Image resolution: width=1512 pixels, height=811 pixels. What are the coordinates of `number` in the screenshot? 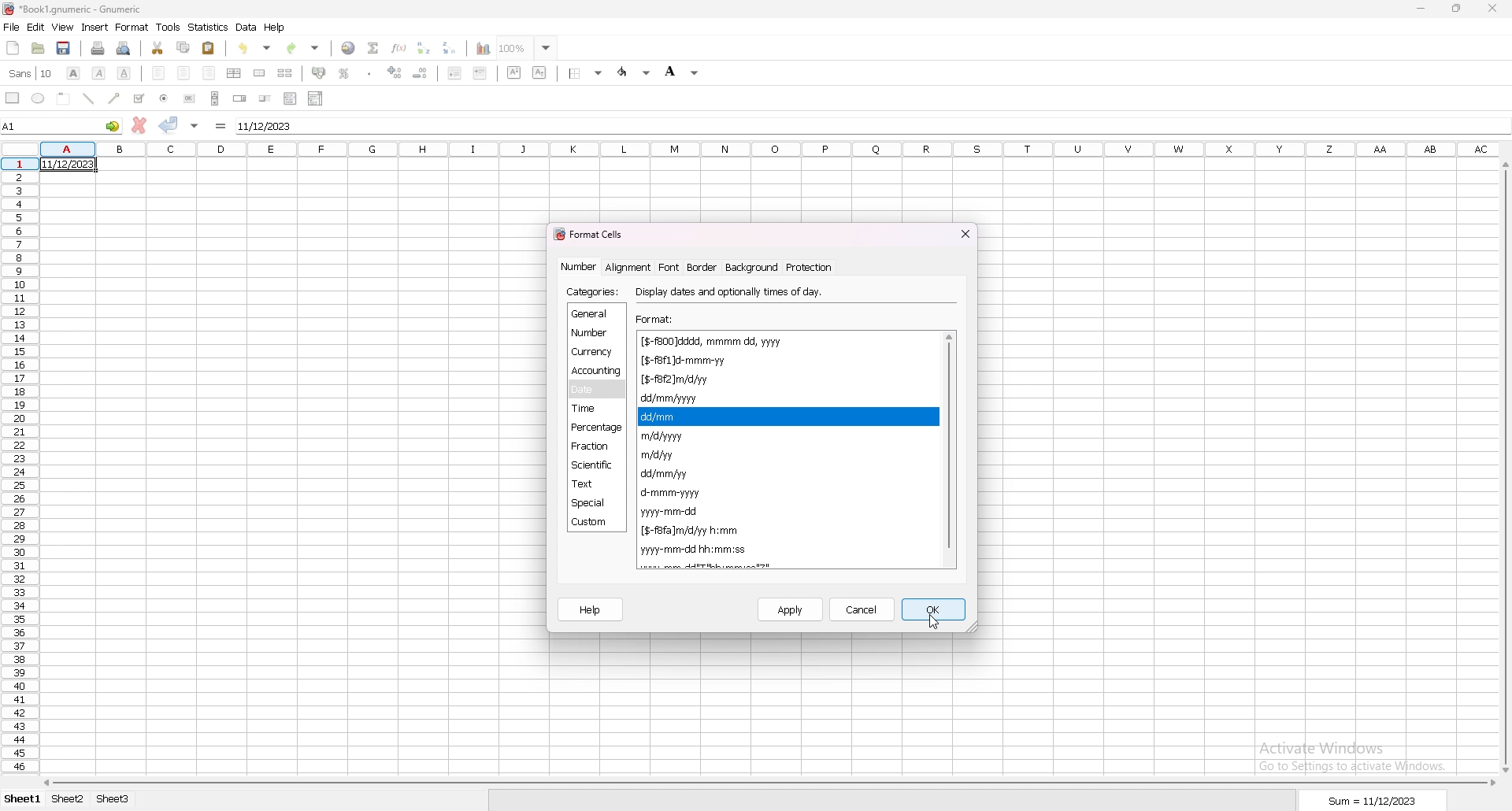 It's located at (591, 331).